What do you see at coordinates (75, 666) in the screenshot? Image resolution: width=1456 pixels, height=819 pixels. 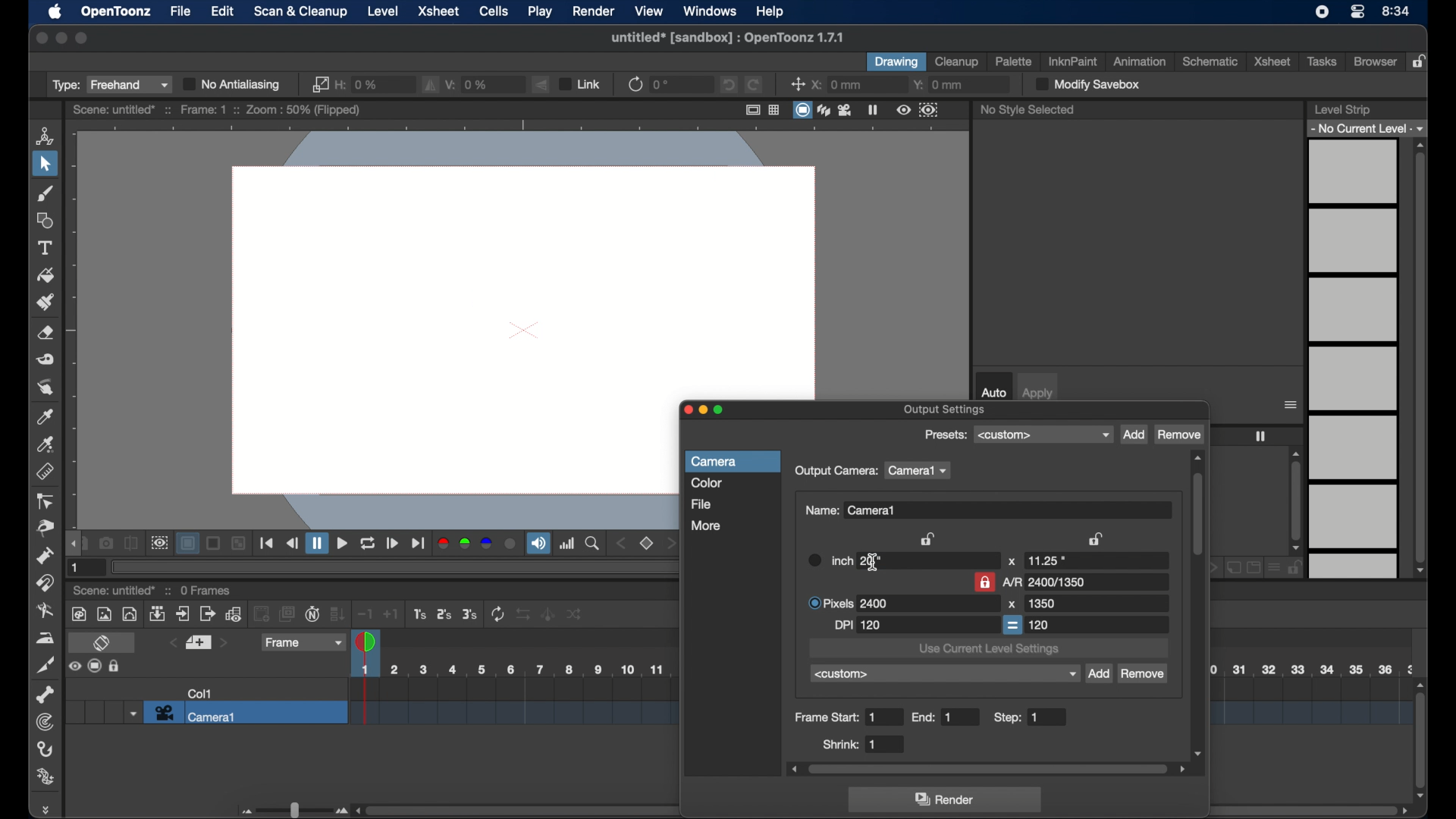 I see `` at bounding box center [75, 666].